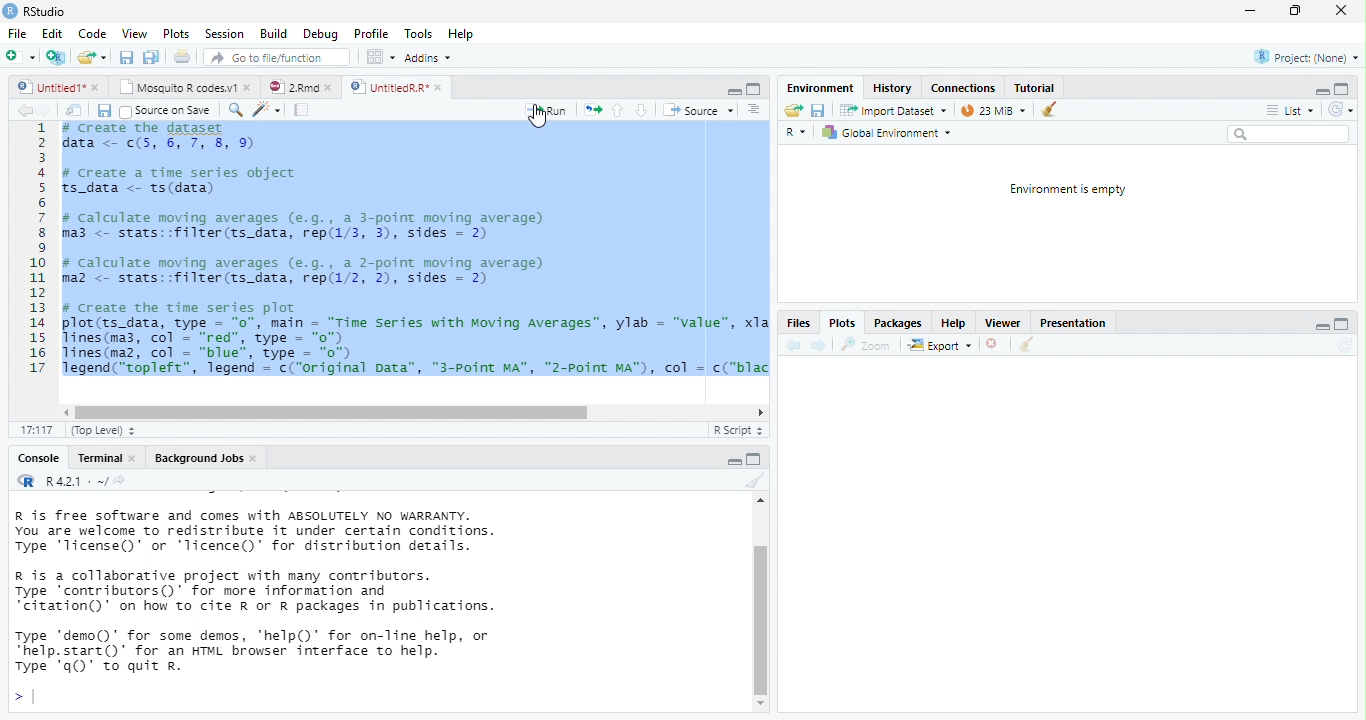 The image size is (1366, 720). Describe the element at coordinates (23, 698) in the screenshot. I see `>` at that location.